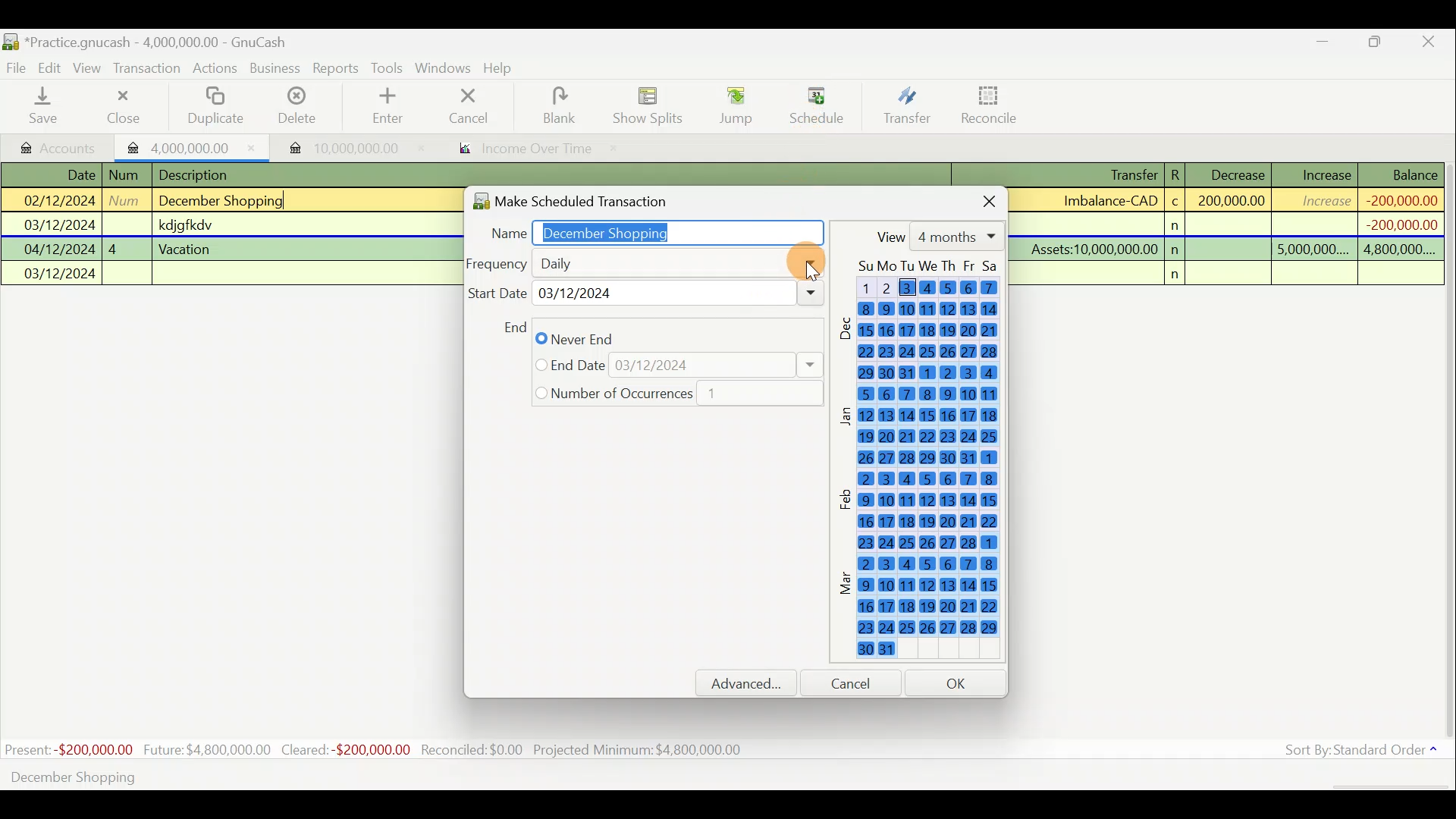 The image size is (1456, 819). What do you see at coordinates (52, 67) in the screenshot?
I see `Edit` at bounding box center [52, 67].